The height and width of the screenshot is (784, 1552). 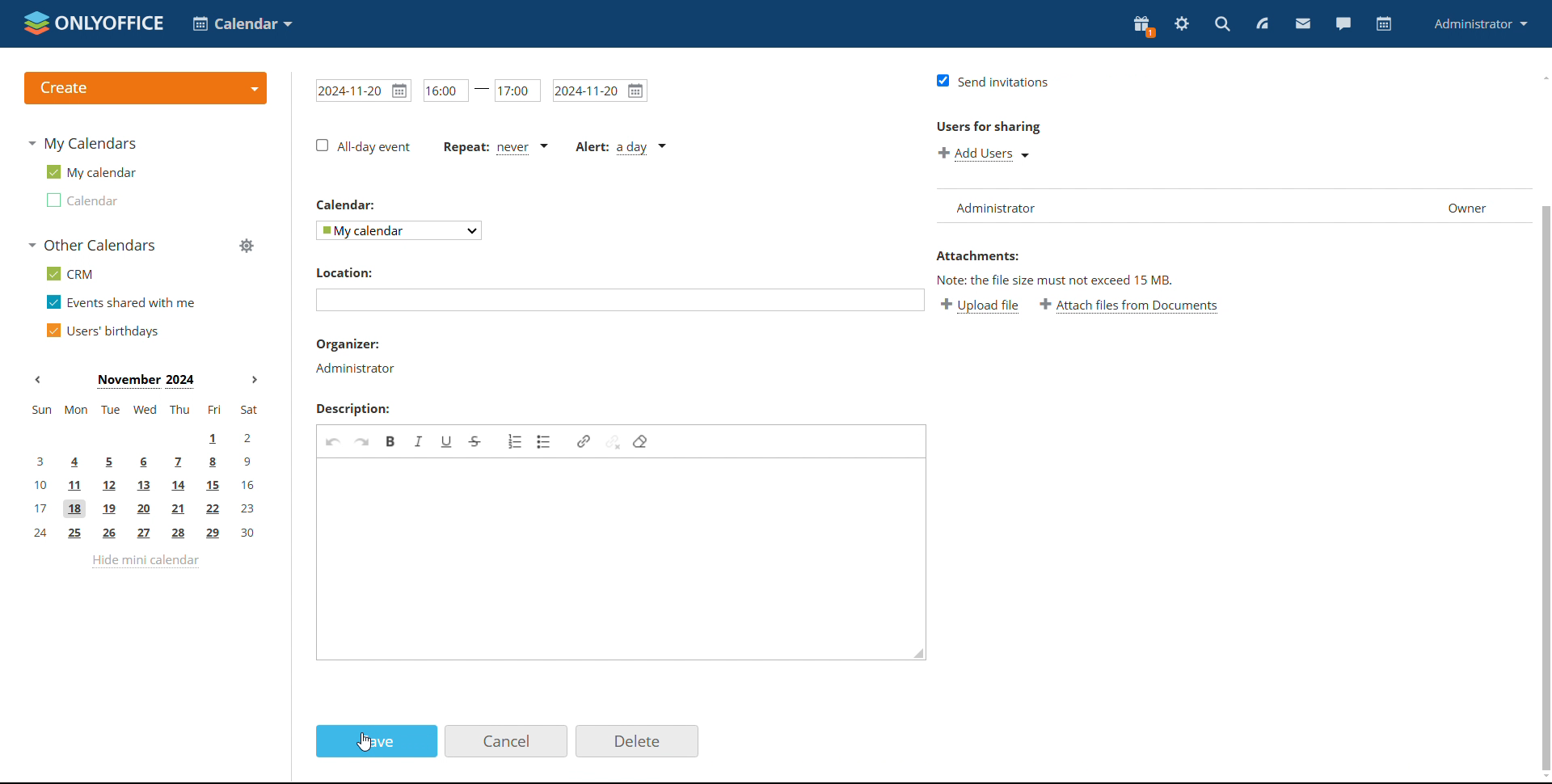 I want to click on Strike through, so click(x=476, y=440).